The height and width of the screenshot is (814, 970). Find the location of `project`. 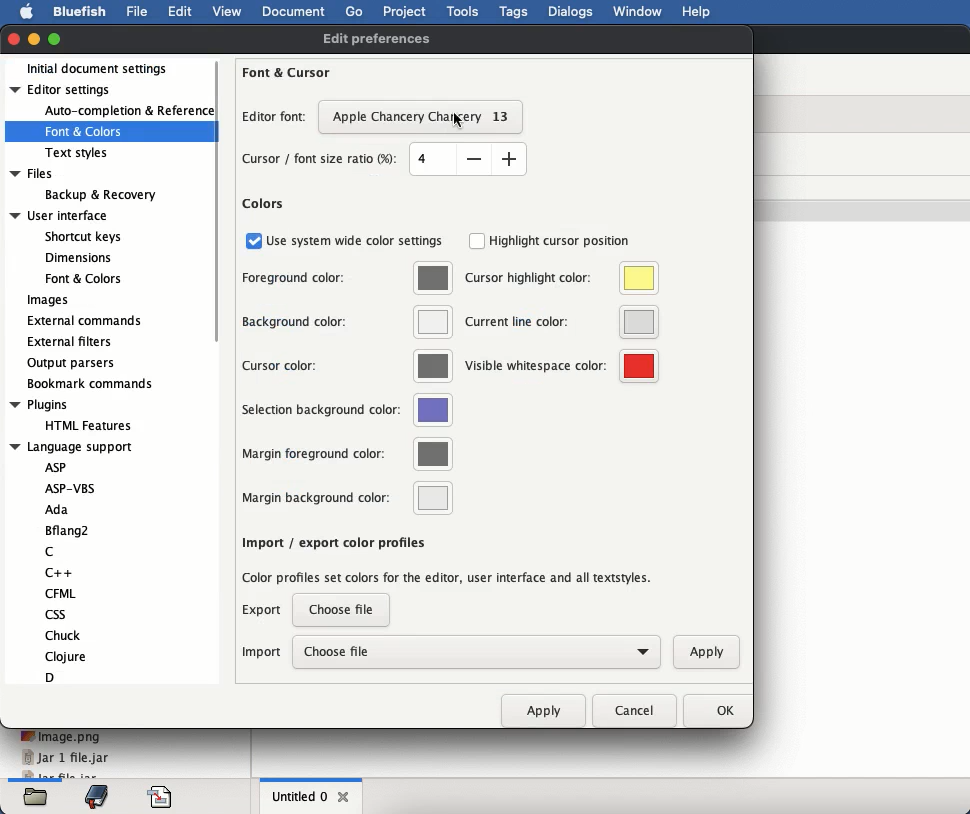

project is located at coordinates (407, 12).